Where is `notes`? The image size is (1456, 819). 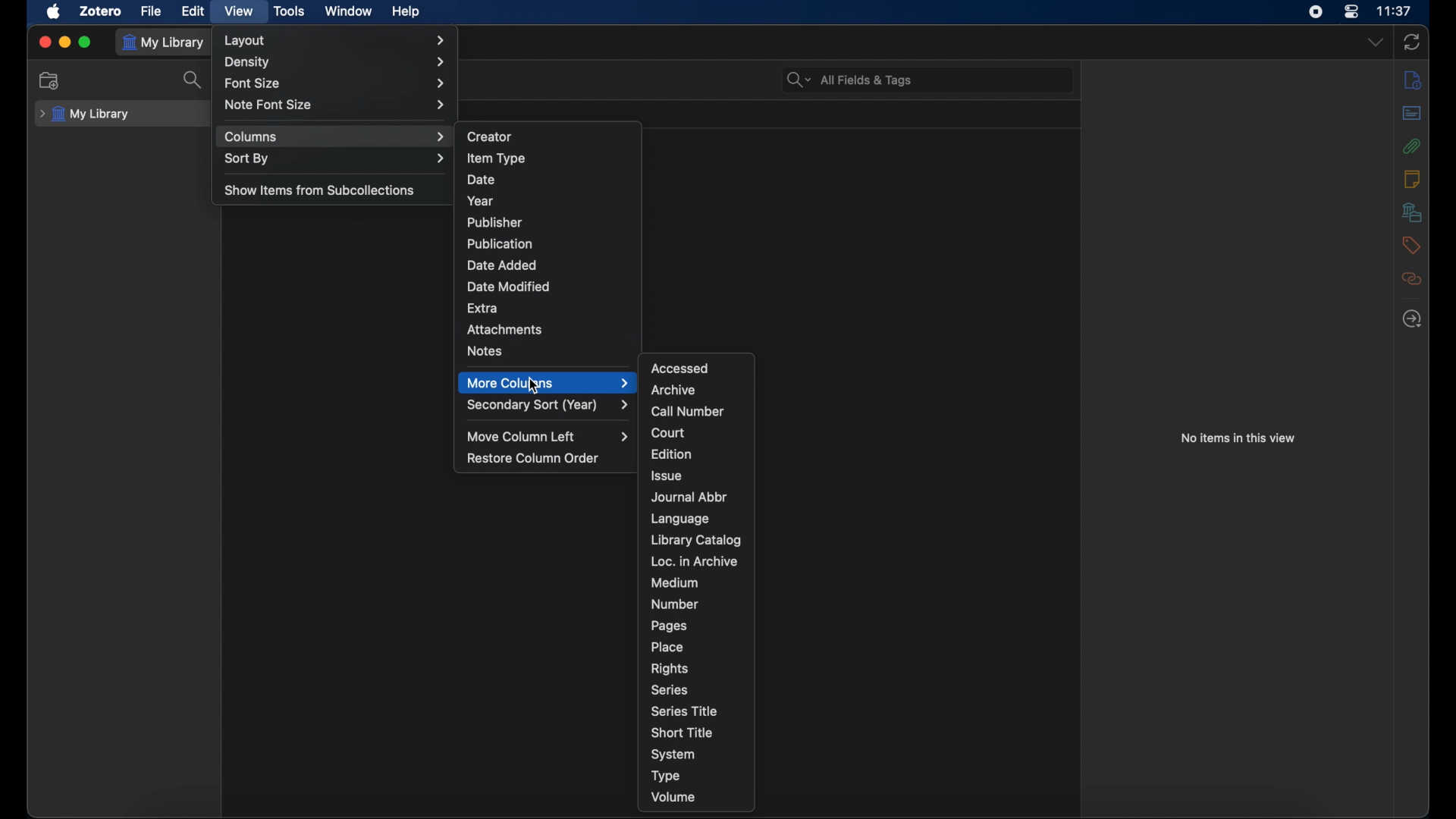 notes is located at coordinates (1411, 177).